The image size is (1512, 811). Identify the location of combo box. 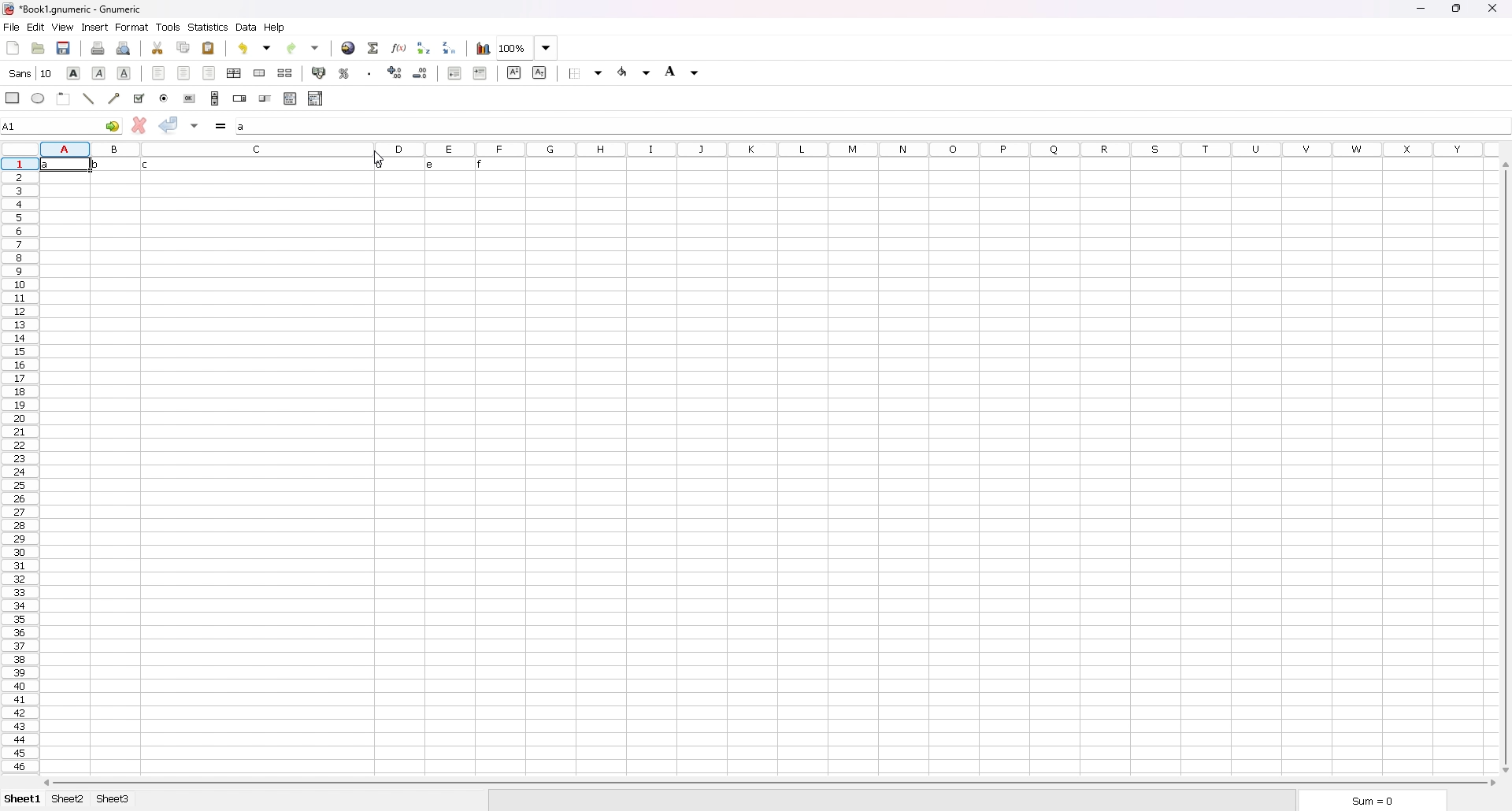
(316, 98).